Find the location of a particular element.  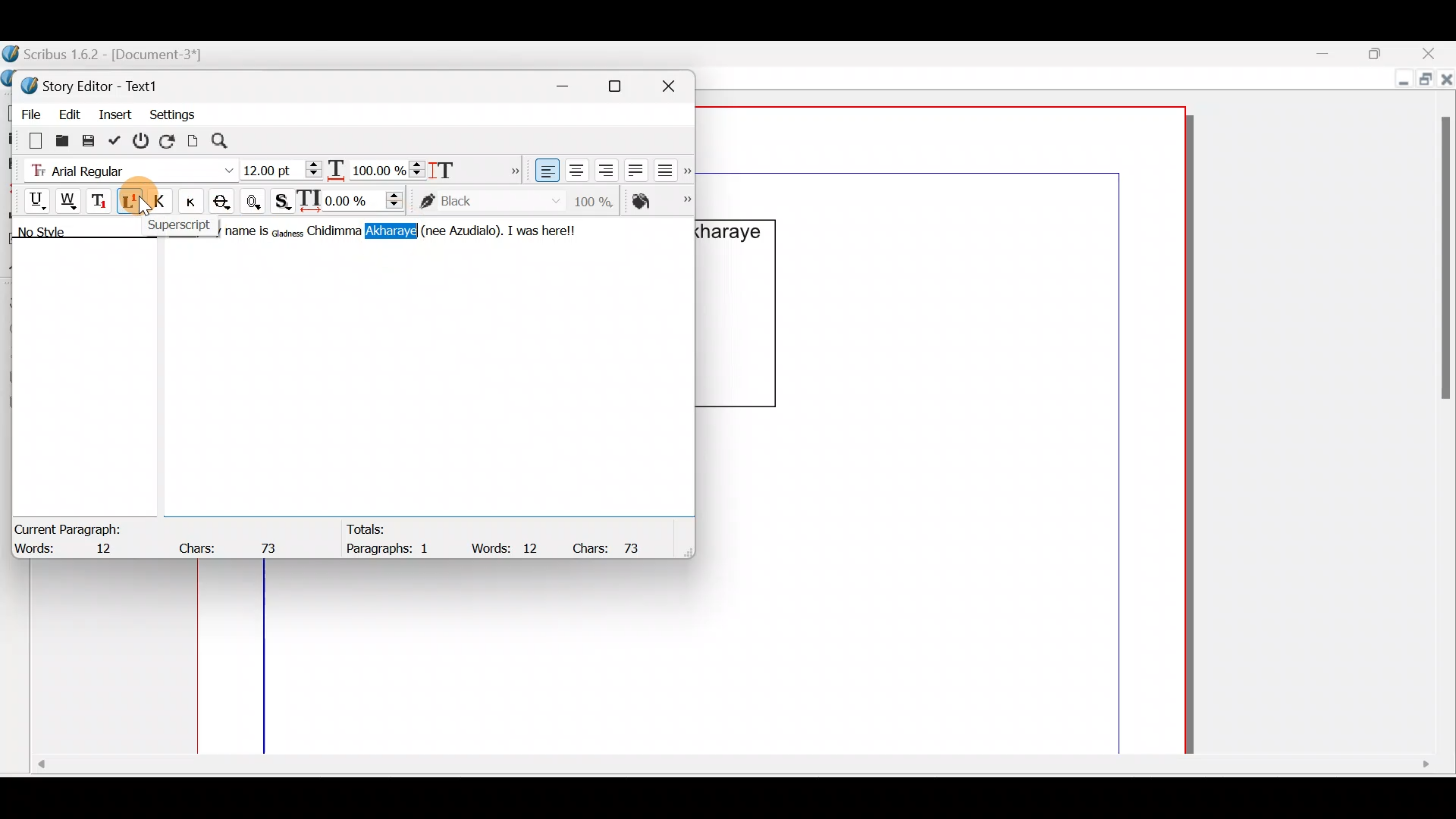

Minimize is located at coordinates (571, 83).